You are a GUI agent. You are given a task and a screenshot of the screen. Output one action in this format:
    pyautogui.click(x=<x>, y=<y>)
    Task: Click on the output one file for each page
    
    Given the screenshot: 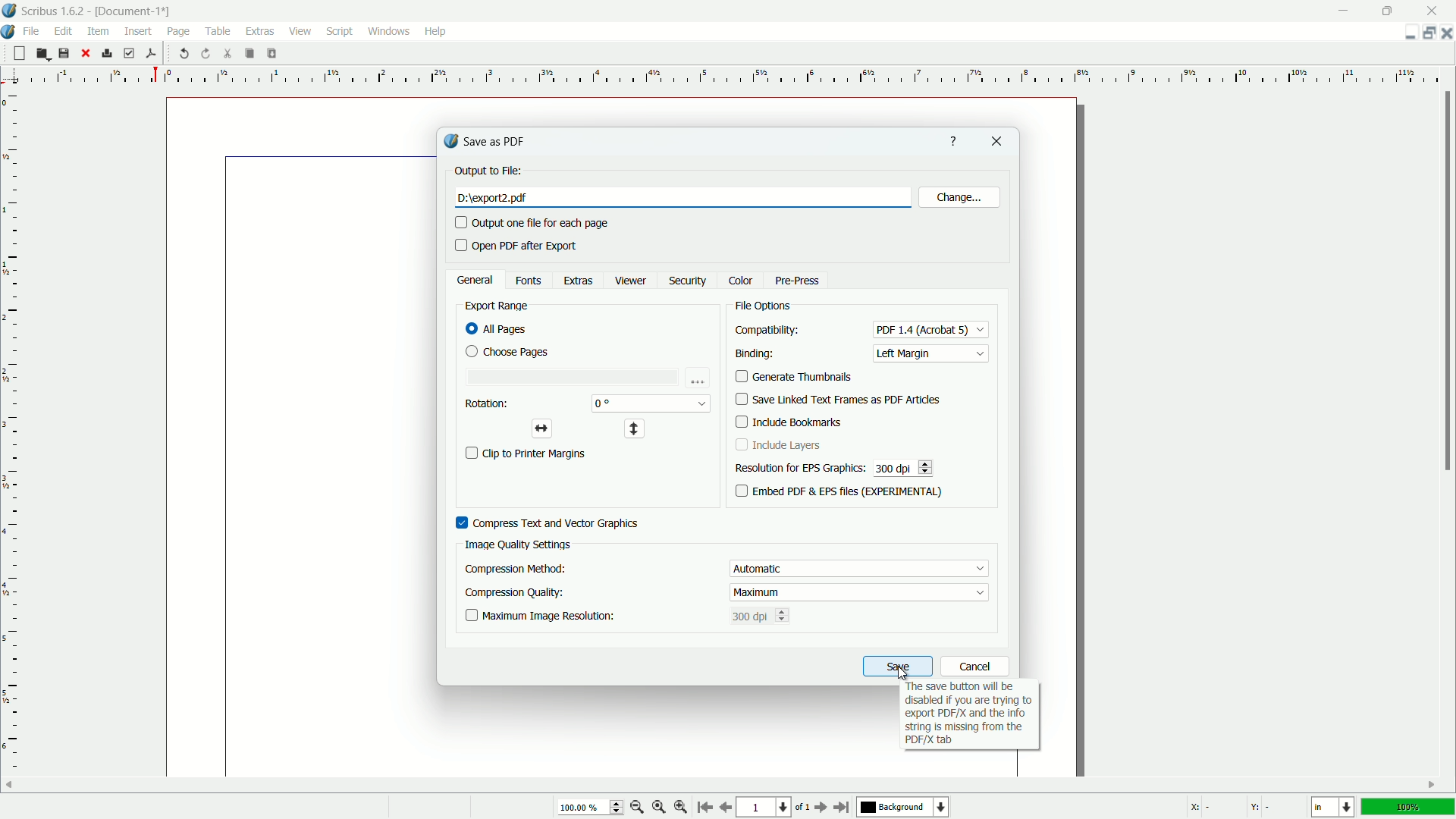 What is the action you would take?
    pyautogui.click(x=530, y=224)
    